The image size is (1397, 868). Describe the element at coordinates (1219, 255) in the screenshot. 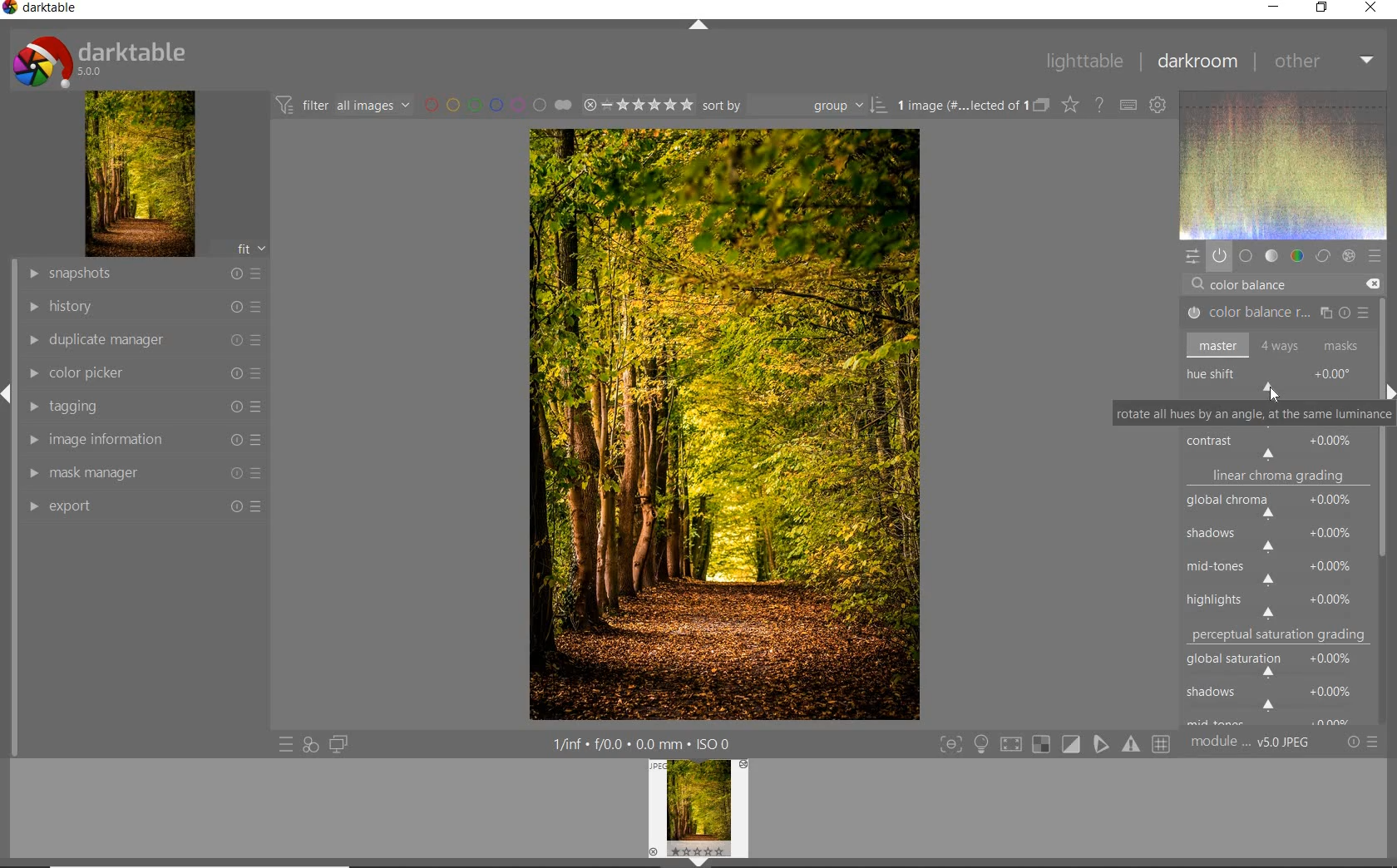

I see `show only active module` at that location.